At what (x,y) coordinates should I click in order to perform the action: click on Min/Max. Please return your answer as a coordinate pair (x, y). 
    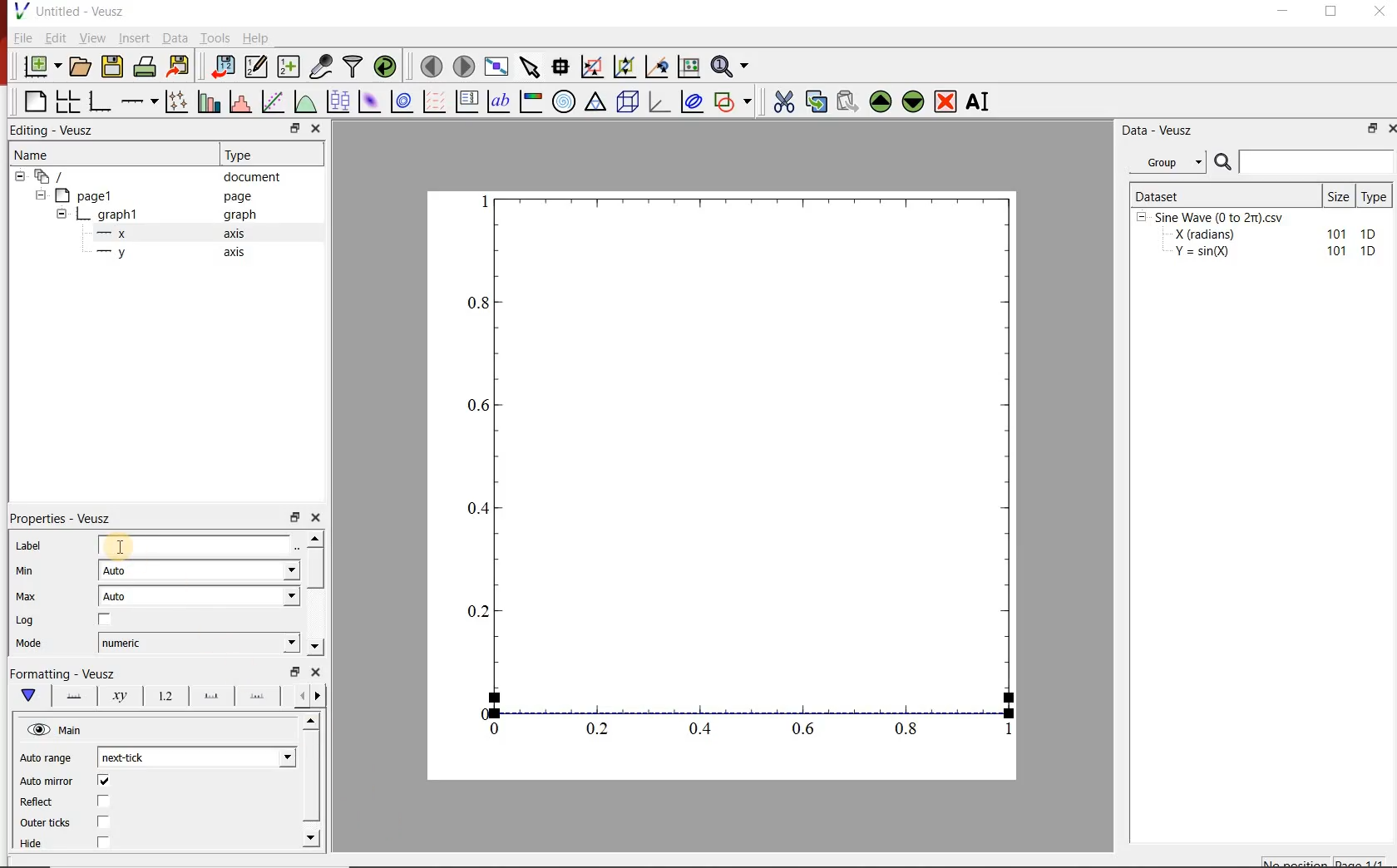
    Looking at the image, I should click on (1370, 130).